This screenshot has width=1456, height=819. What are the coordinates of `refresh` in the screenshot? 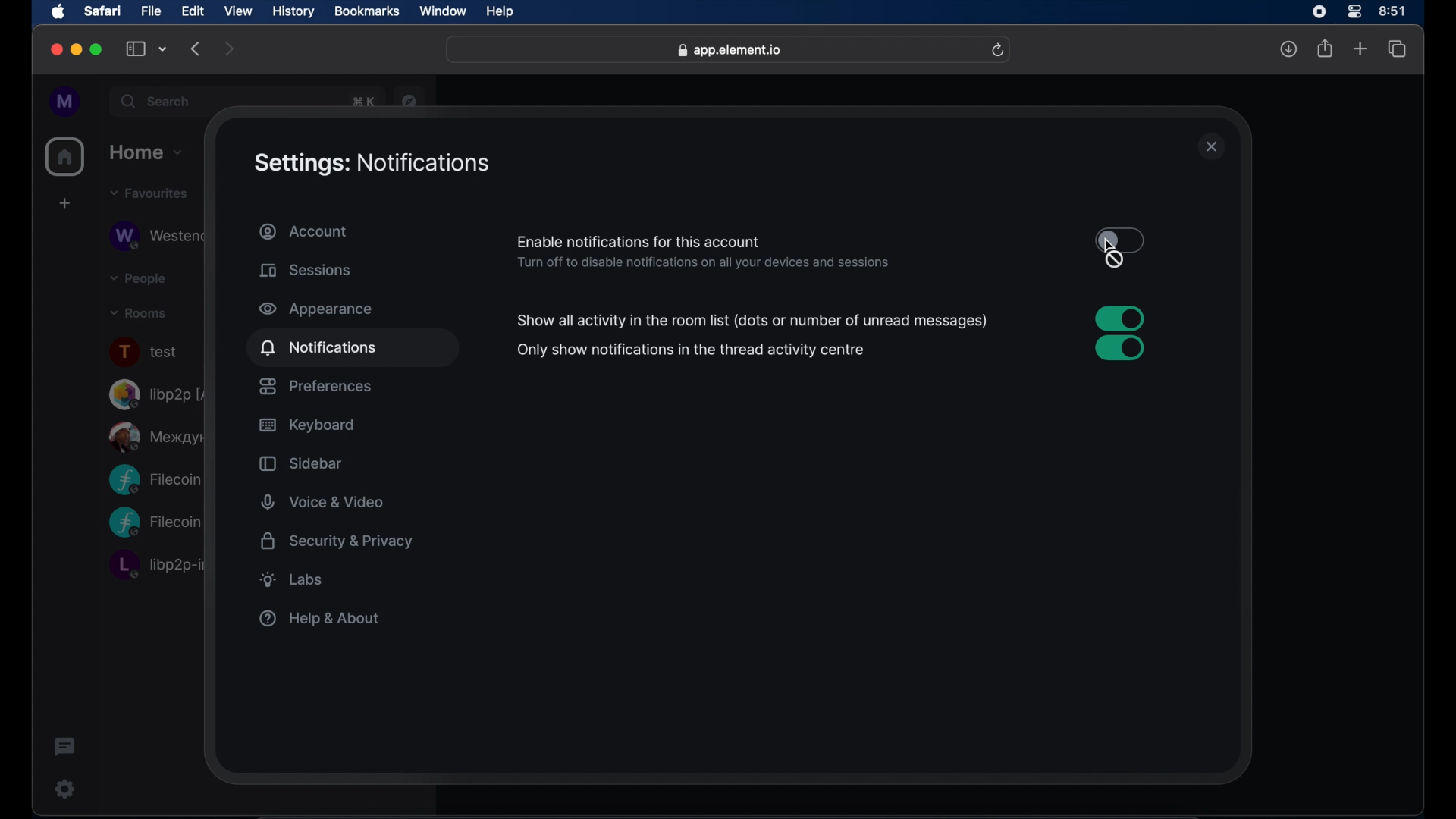 It's located at (998, 50).